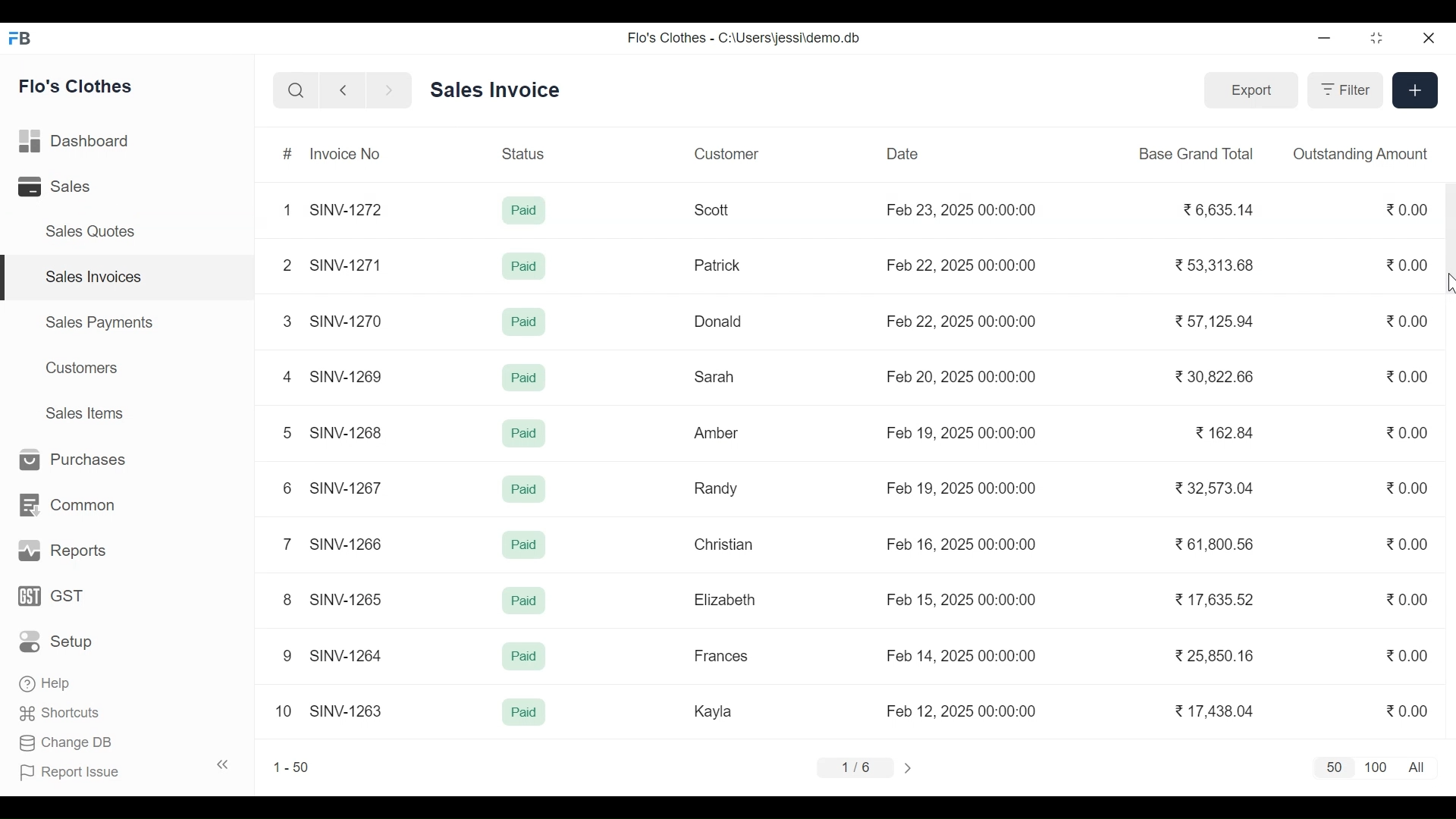 This screenshot has width=1456, height=819. I want to click on SINV-1263, so click(347, 709).